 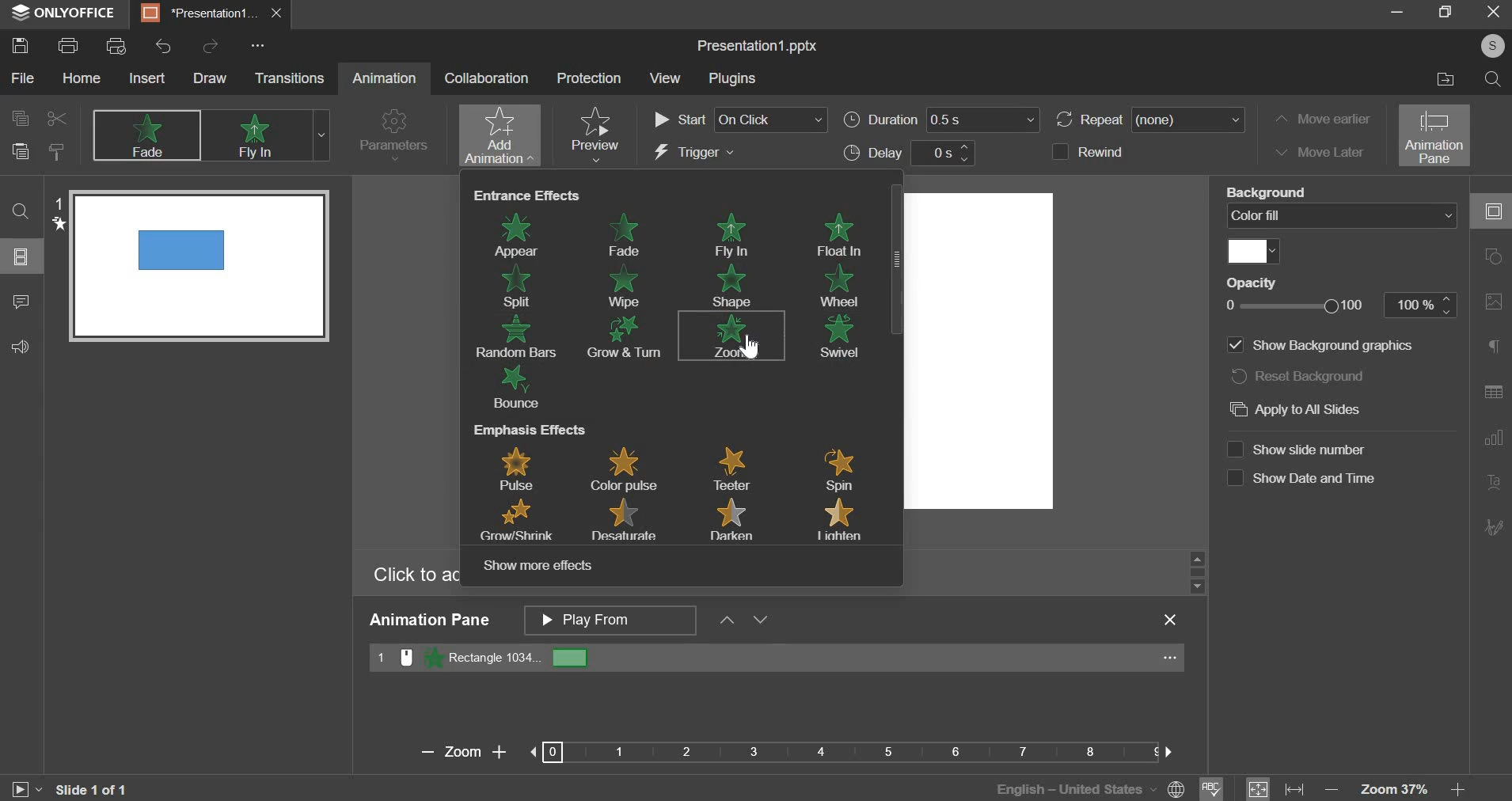 What do you see at coordinates (1494, 80) in the screenshot?
I see `find` at bounding box center [1494, 80].